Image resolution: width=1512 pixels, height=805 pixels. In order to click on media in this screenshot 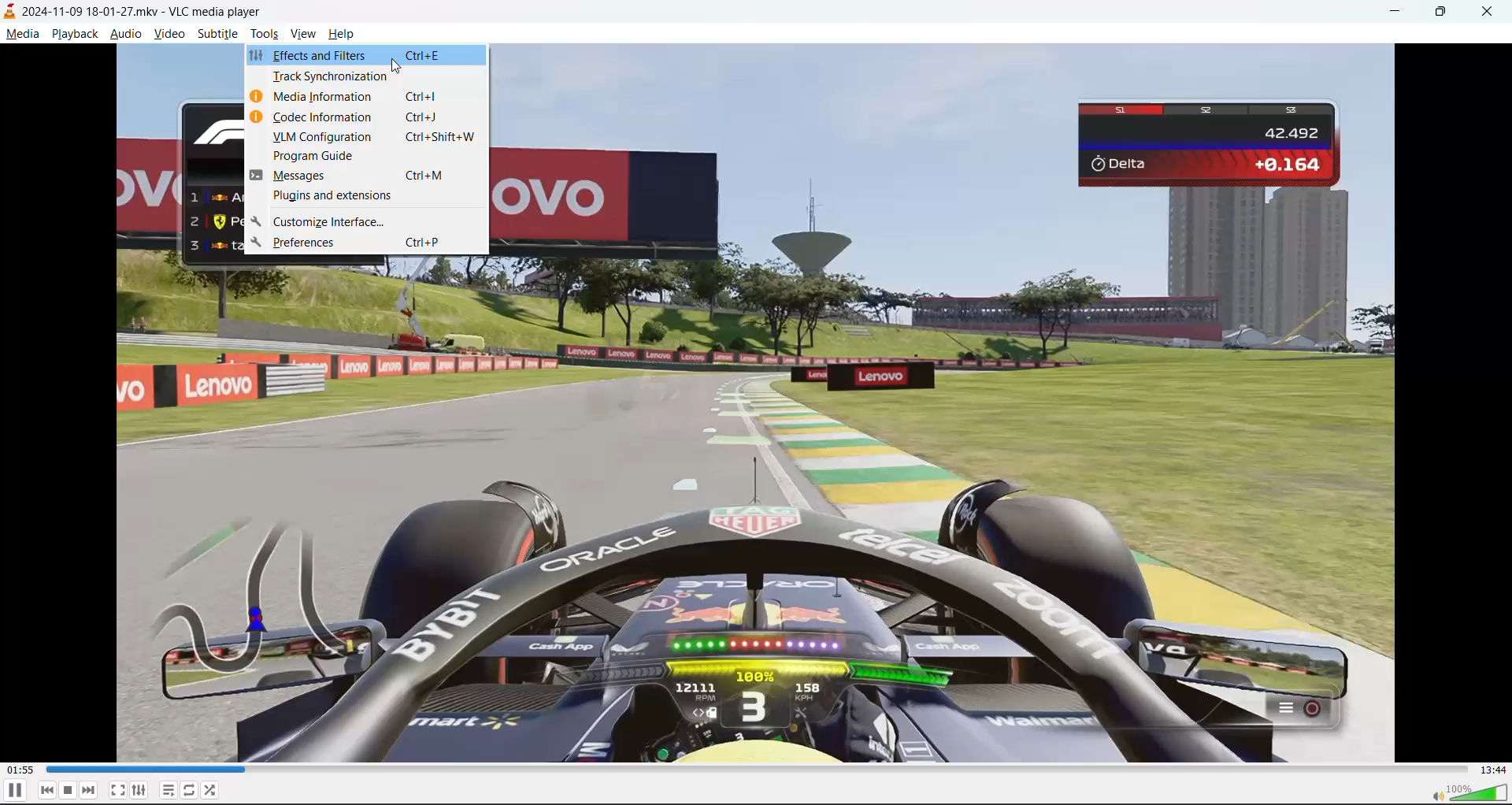, I will do `click(24, 35)`.